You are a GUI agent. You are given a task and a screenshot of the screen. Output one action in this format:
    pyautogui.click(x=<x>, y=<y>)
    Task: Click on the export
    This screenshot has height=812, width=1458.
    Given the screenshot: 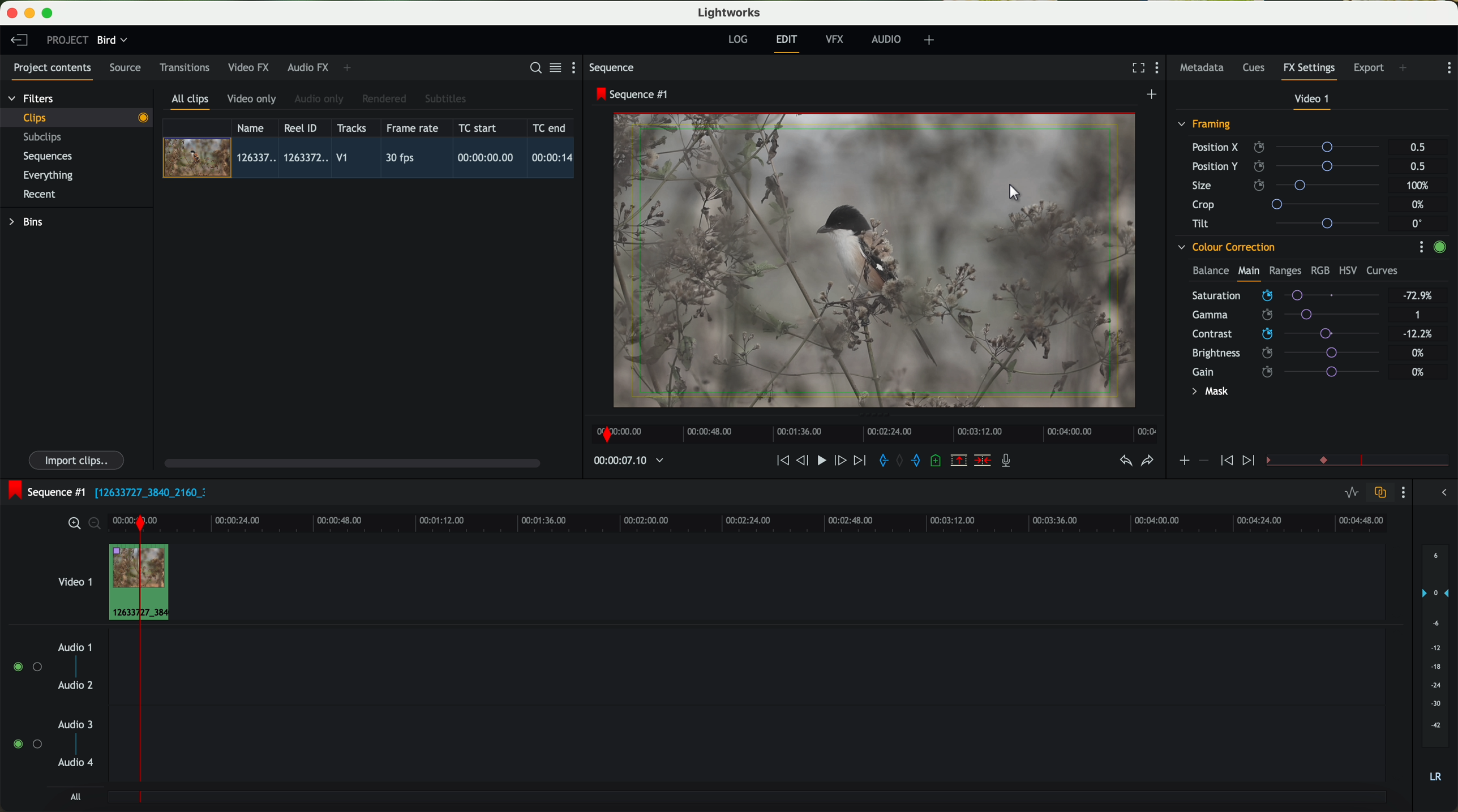 What is the action you would take?
    pyautogui.click(x=1369, y=69)
    